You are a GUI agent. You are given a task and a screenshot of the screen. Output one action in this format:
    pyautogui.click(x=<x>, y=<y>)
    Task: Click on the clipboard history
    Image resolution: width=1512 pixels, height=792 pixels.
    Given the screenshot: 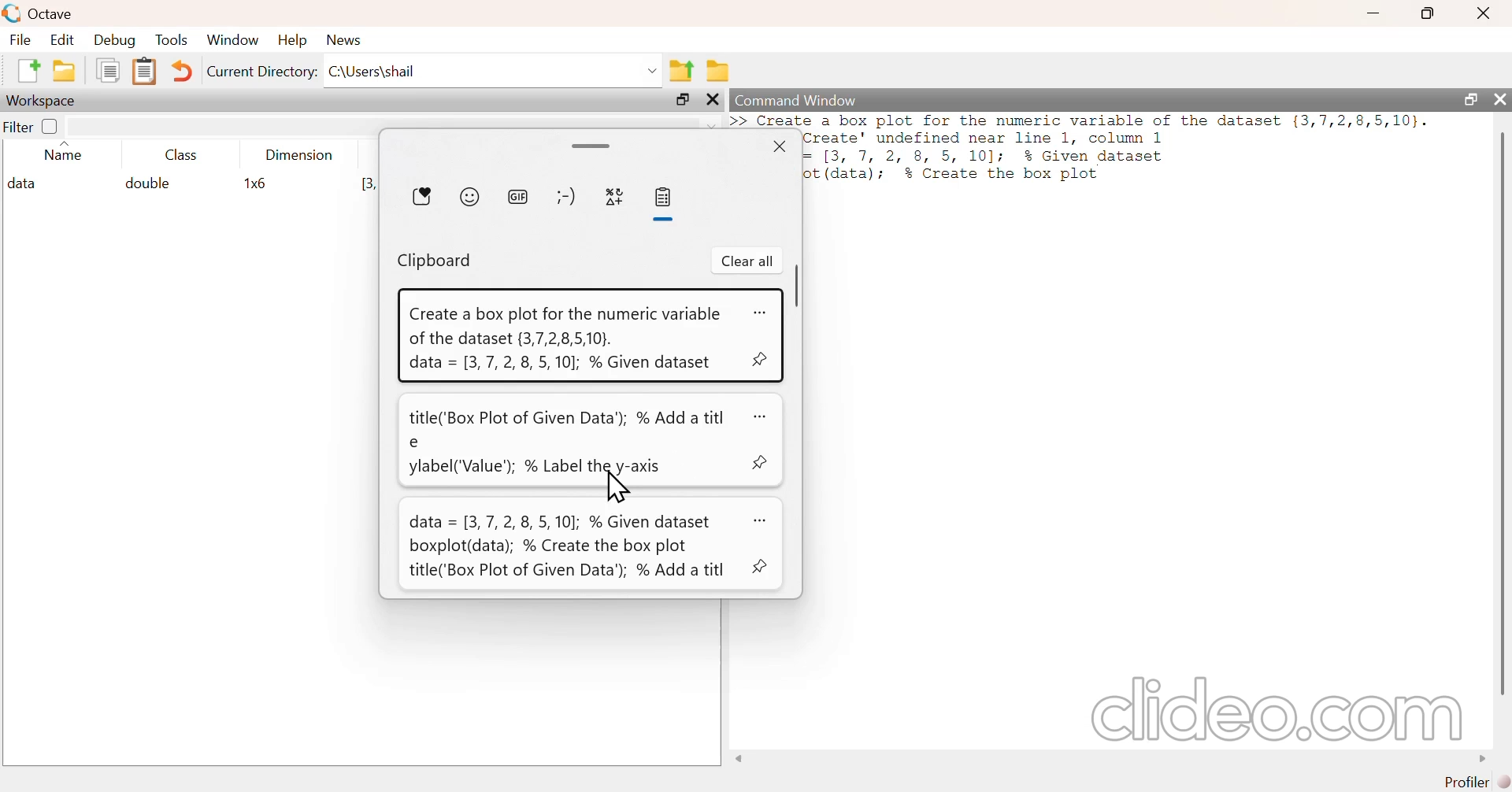 What is the action you would take?
    pyautogui.click(x=664, y=206)
    